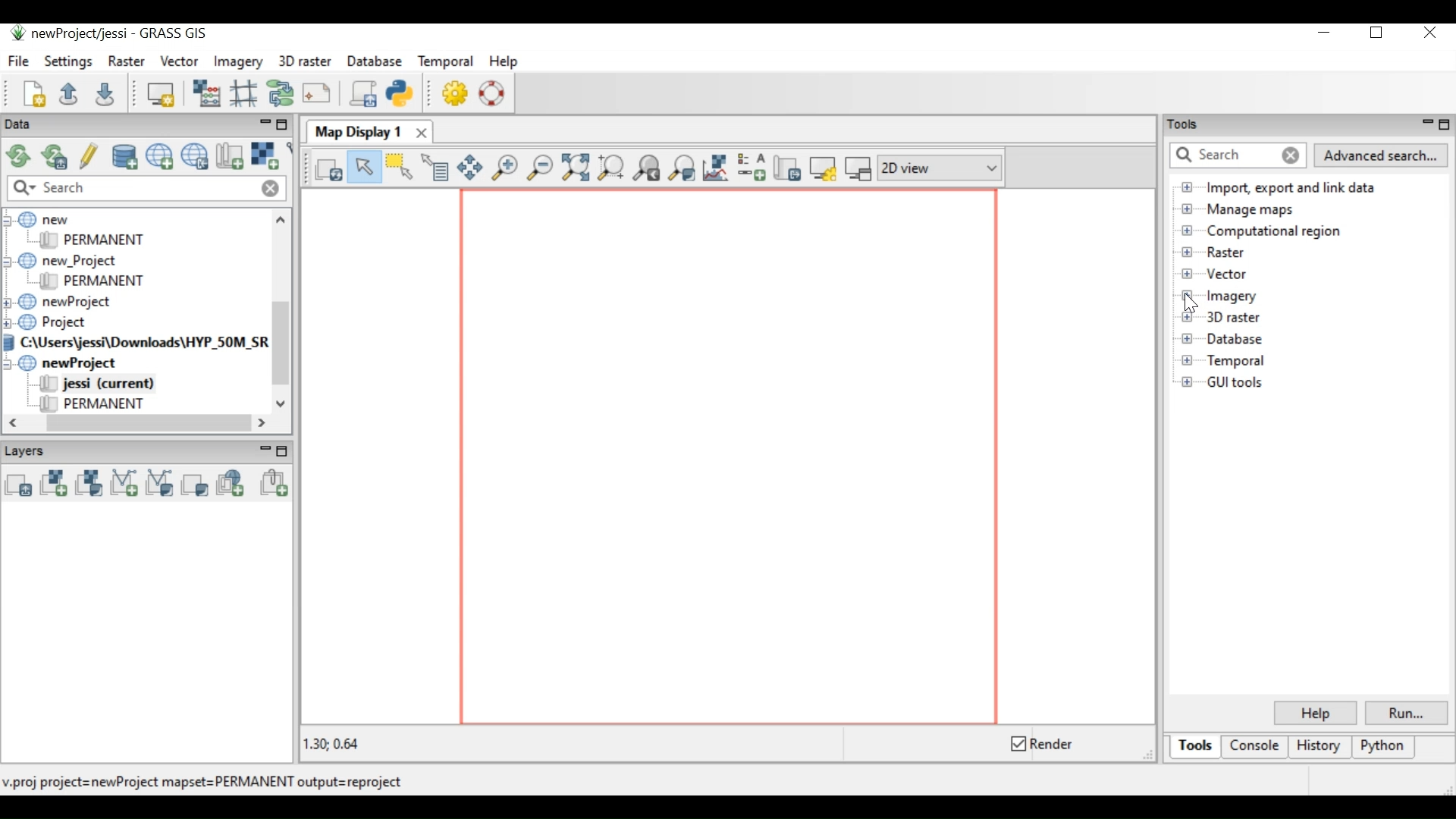 The width and height of the screenshot is (1456, 819). Describe the element at coordinates (788, 168) in the screenshot. I see `Save display to file` at that location.